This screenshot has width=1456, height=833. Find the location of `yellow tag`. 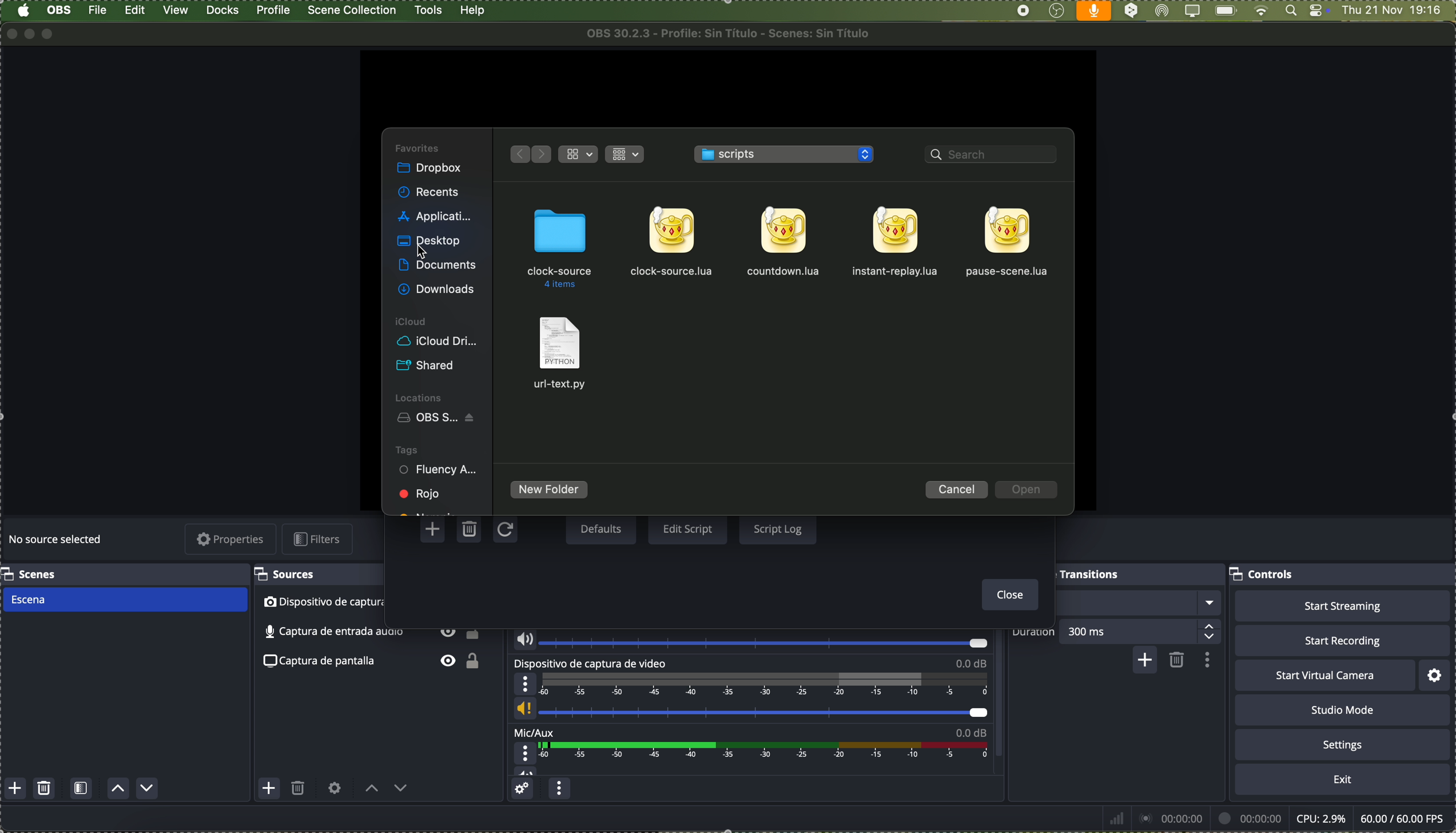

yellow tag is located at coordinates (428, 510).